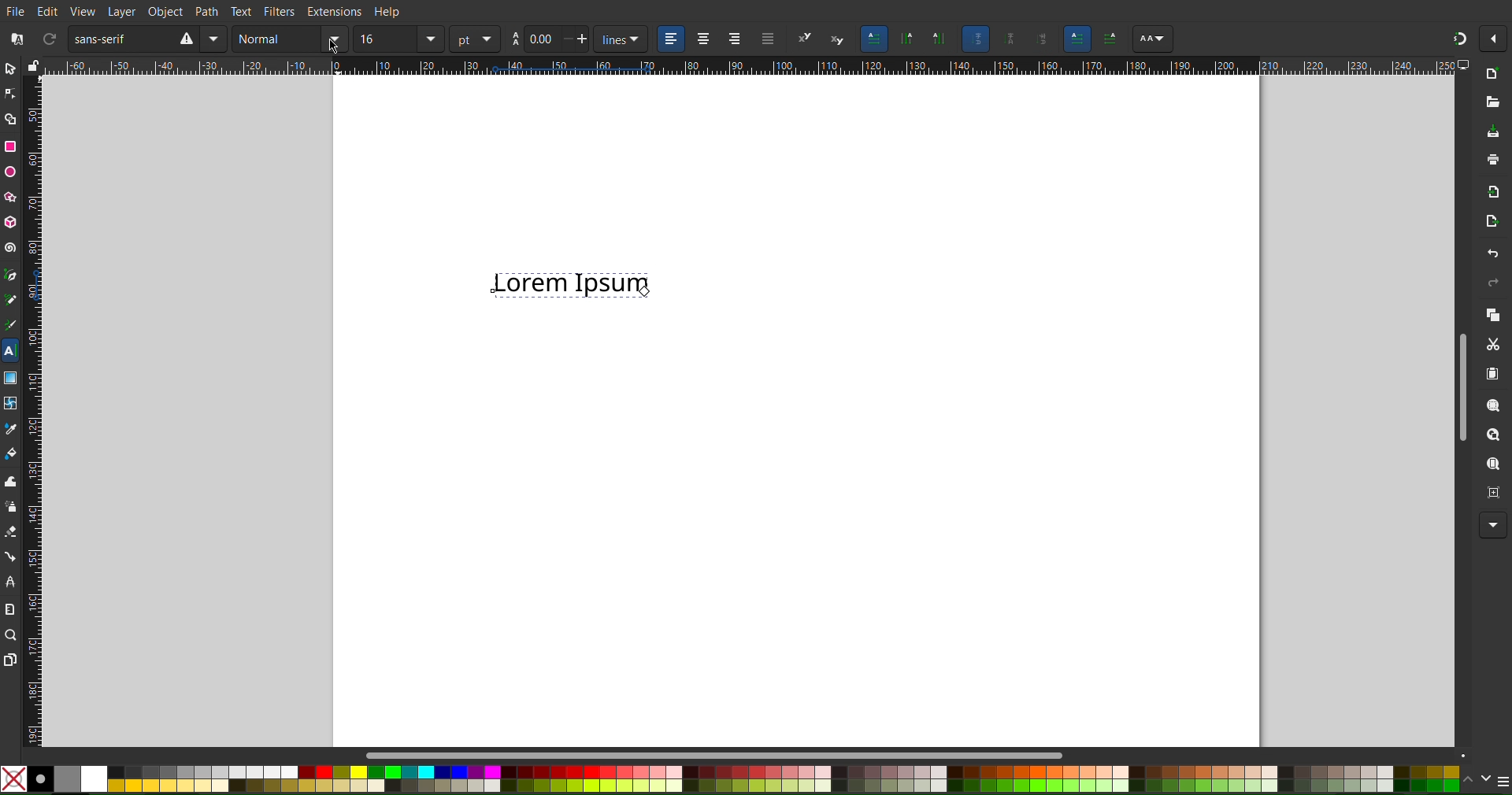 The width and height of the screenshot is (1512, 795). Describe the element at coordinates (1014, 41) in the screenshot. I see `Upright glyph orientation` at that location.